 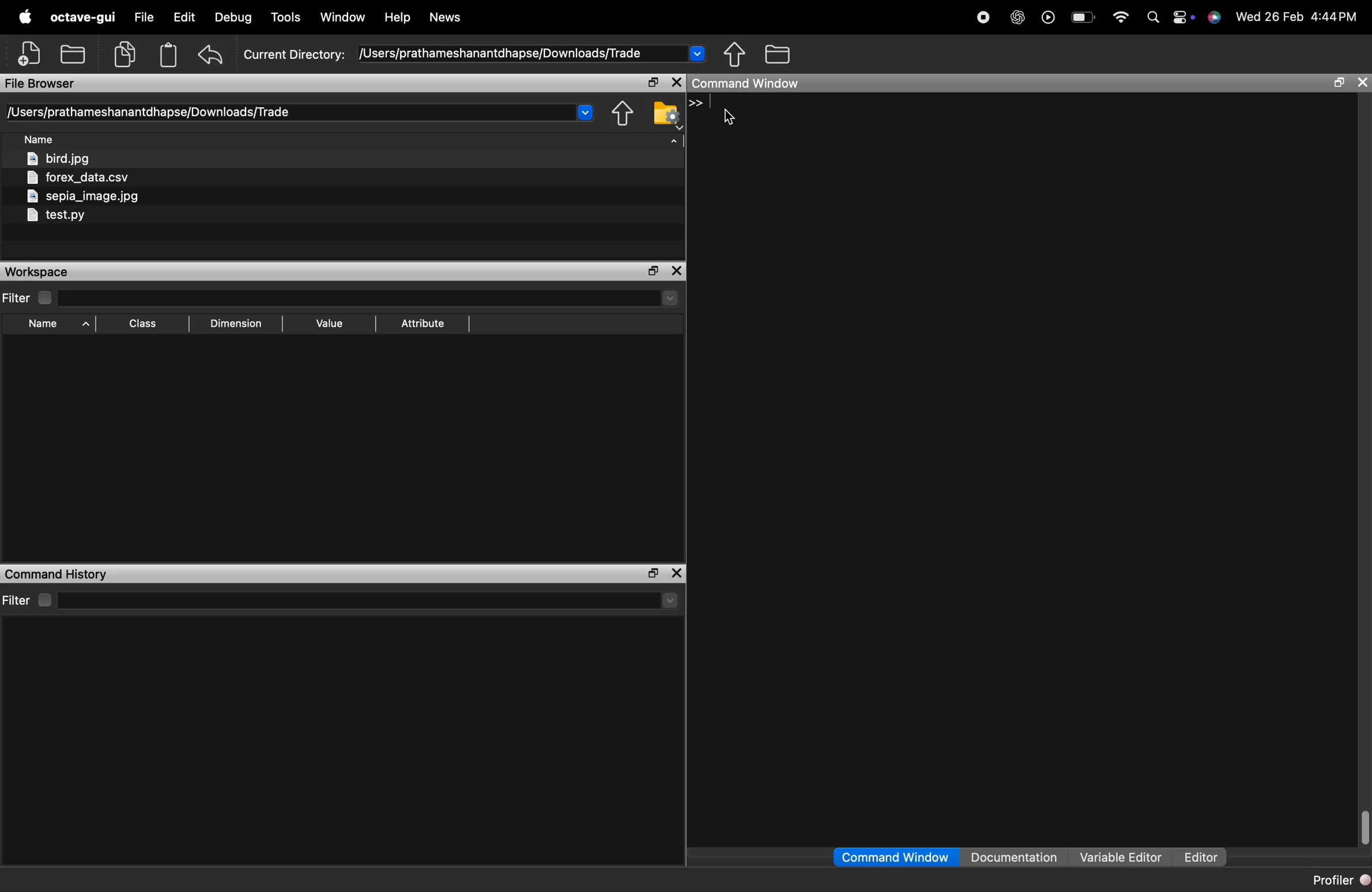 What do you see at coordinates (31, 53) in the screenshot?
I see `add file` at bounding box center [31, 53].